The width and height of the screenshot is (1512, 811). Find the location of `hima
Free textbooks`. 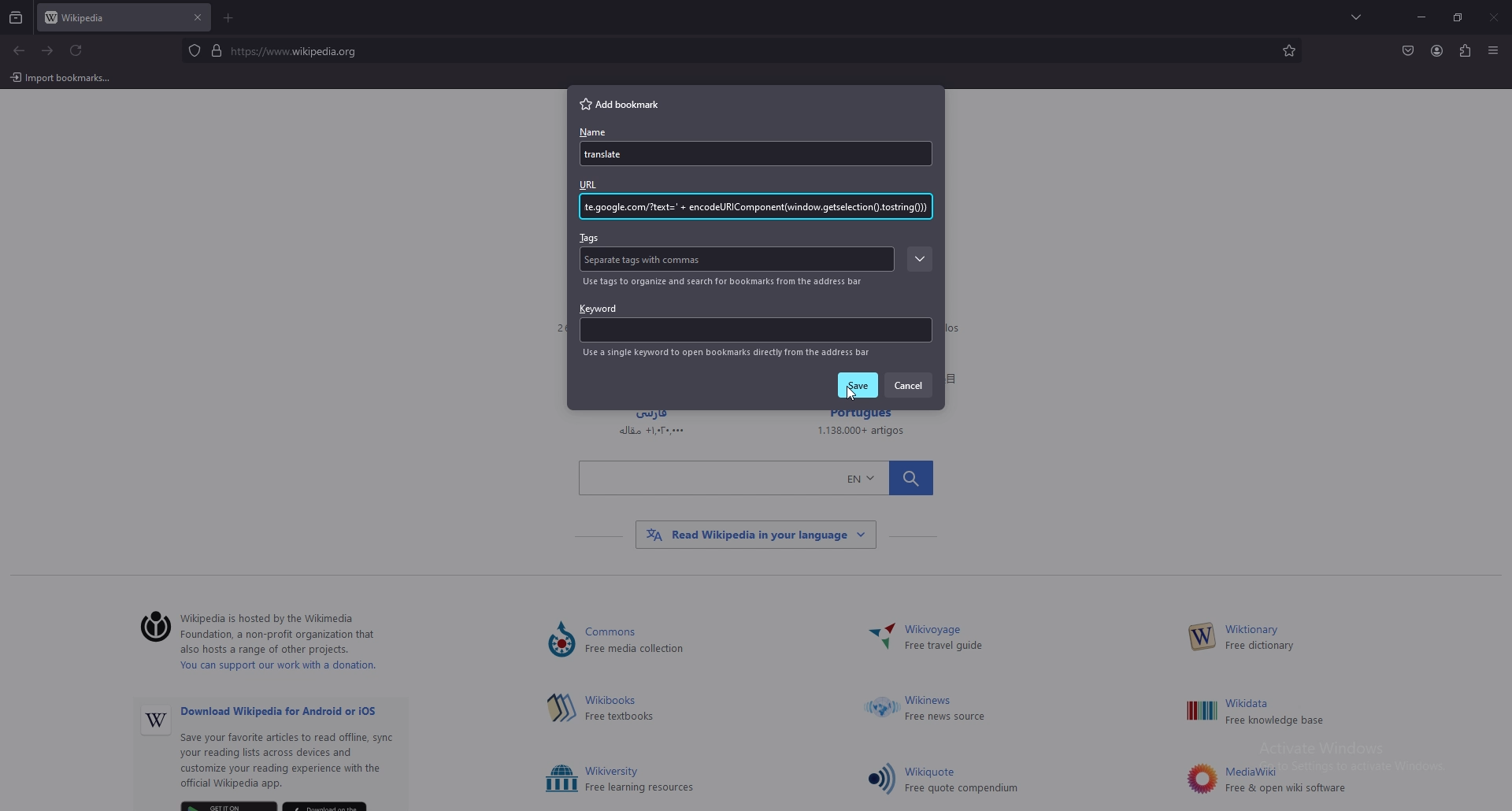

hima
Free textbooks is located at coordinates (623, 709).